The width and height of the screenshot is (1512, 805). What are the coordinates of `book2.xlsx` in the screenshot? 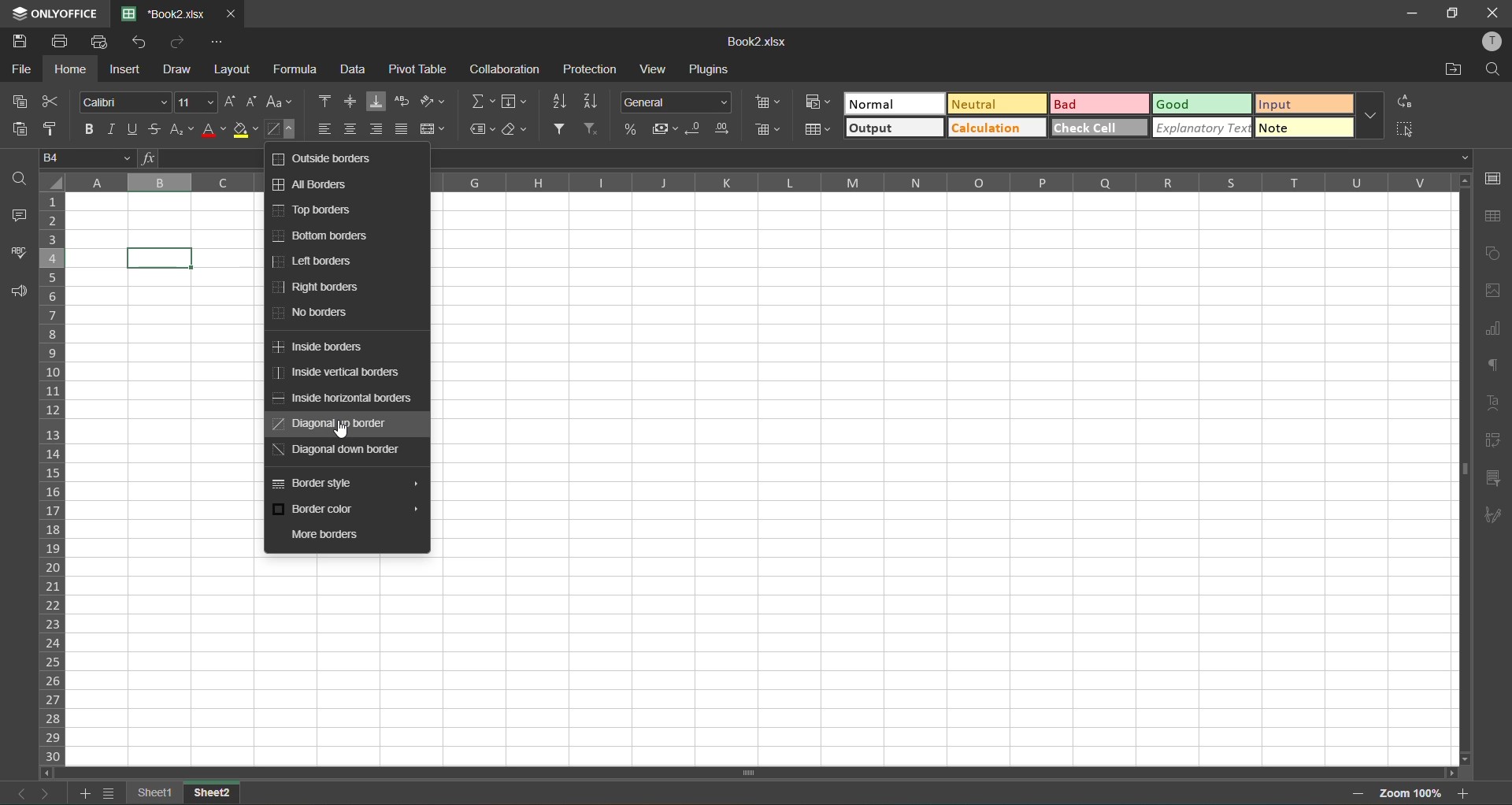 It's located at (169, 14).